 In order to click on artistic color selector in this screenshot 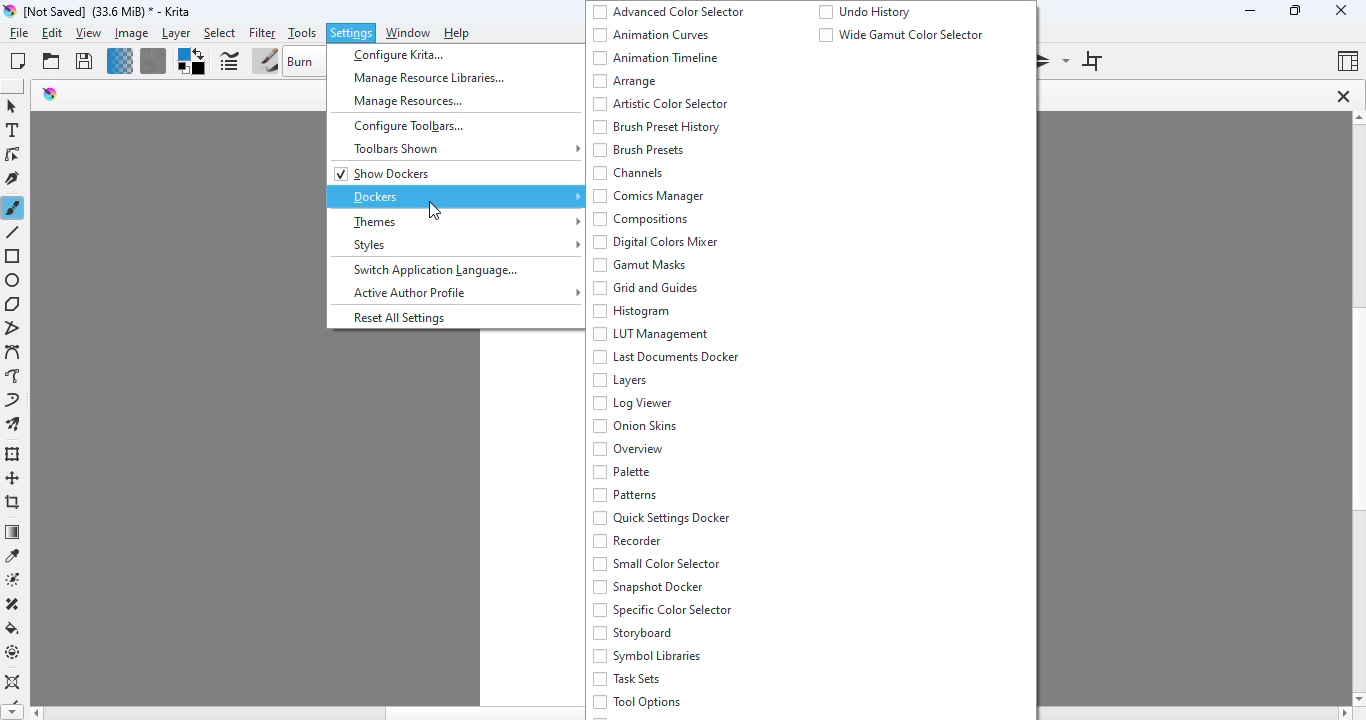, I will do `click(663, 104)`.